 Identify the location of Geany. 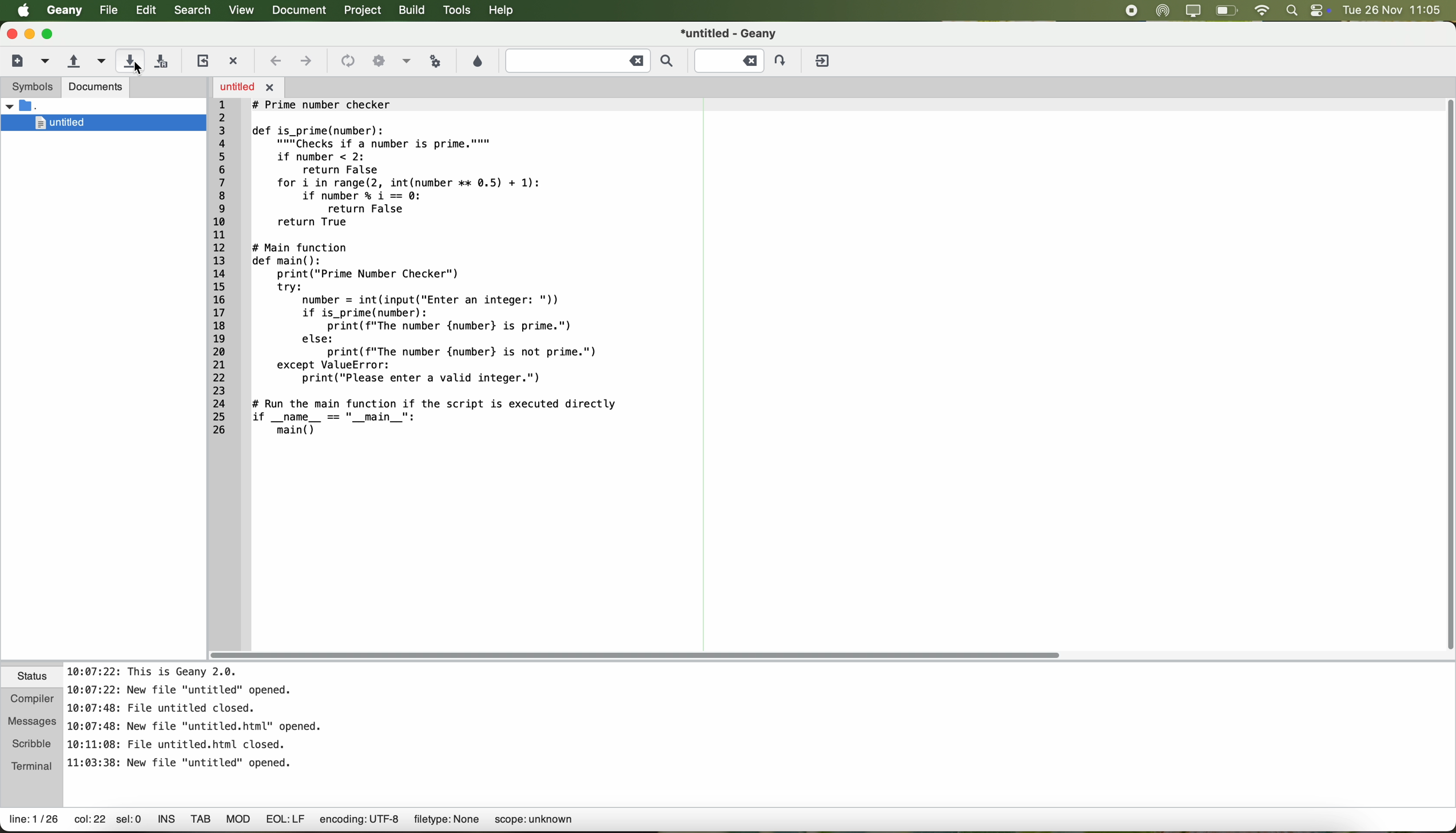
(63, 11).